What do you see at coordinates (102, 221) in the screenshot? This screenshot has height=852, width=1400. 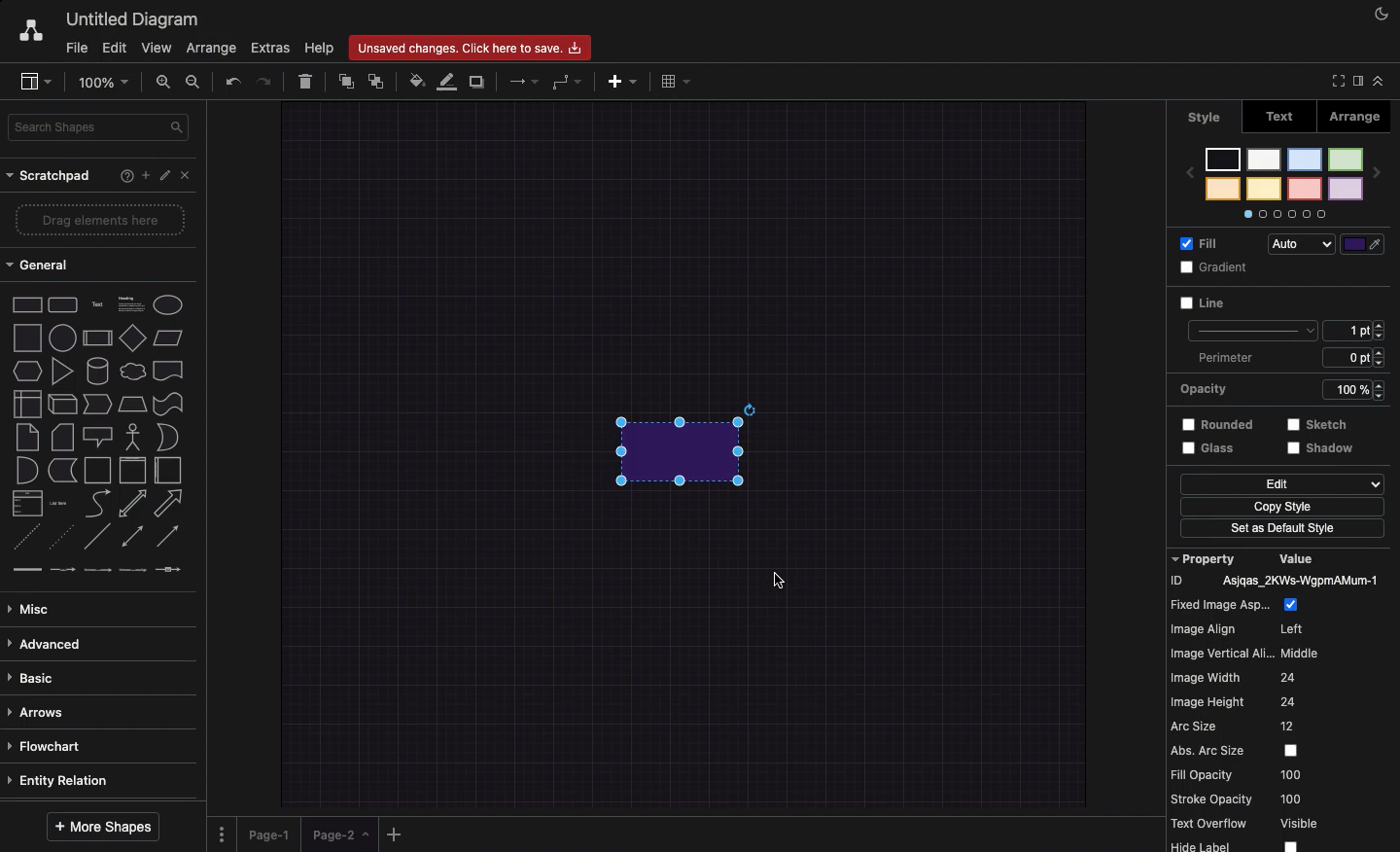 I see `Drag elements here` at bounding box center [102, 221].